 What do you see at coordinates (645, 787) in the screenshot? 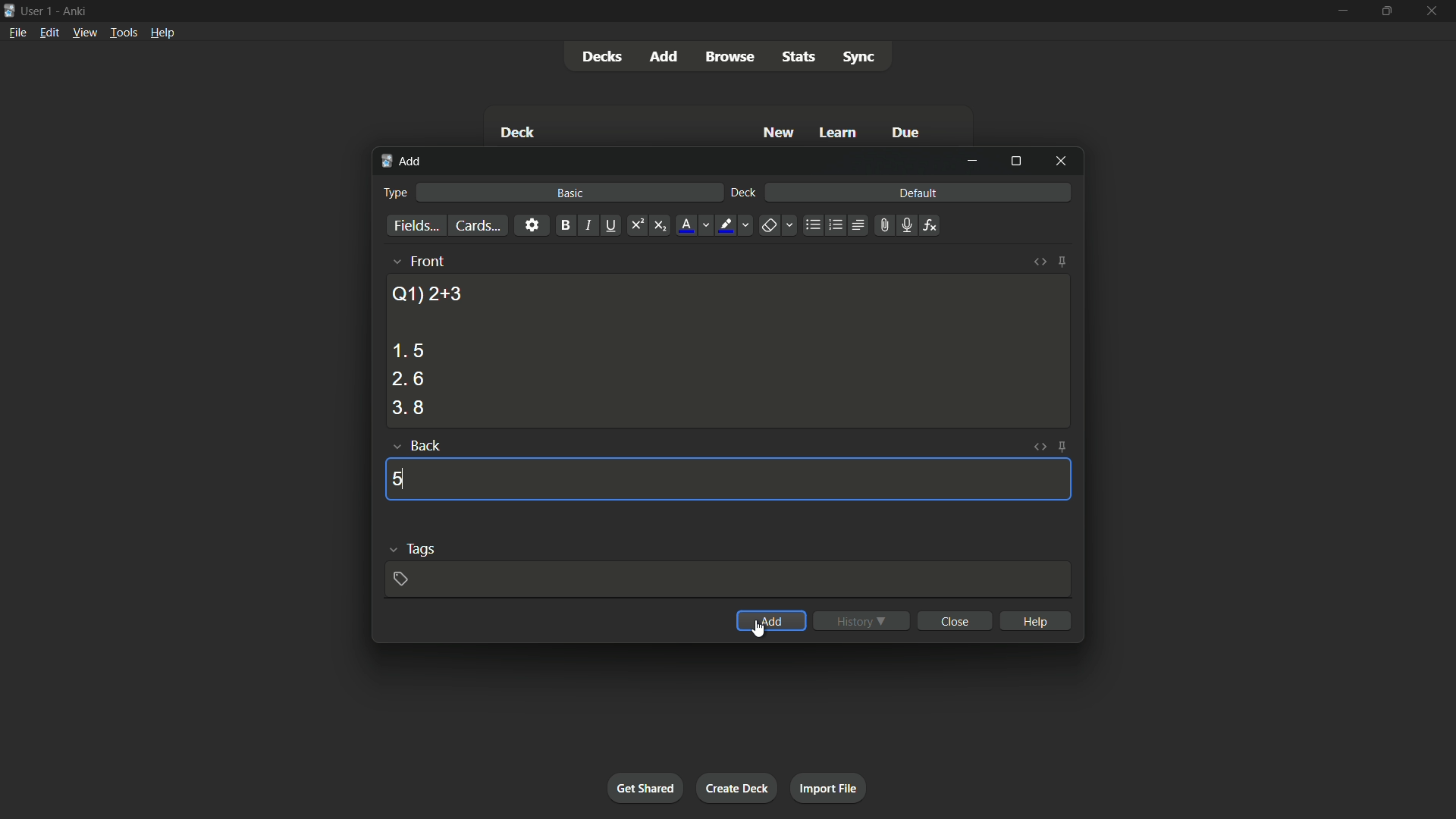
I see `get shared` at bounding box center [645, 787].